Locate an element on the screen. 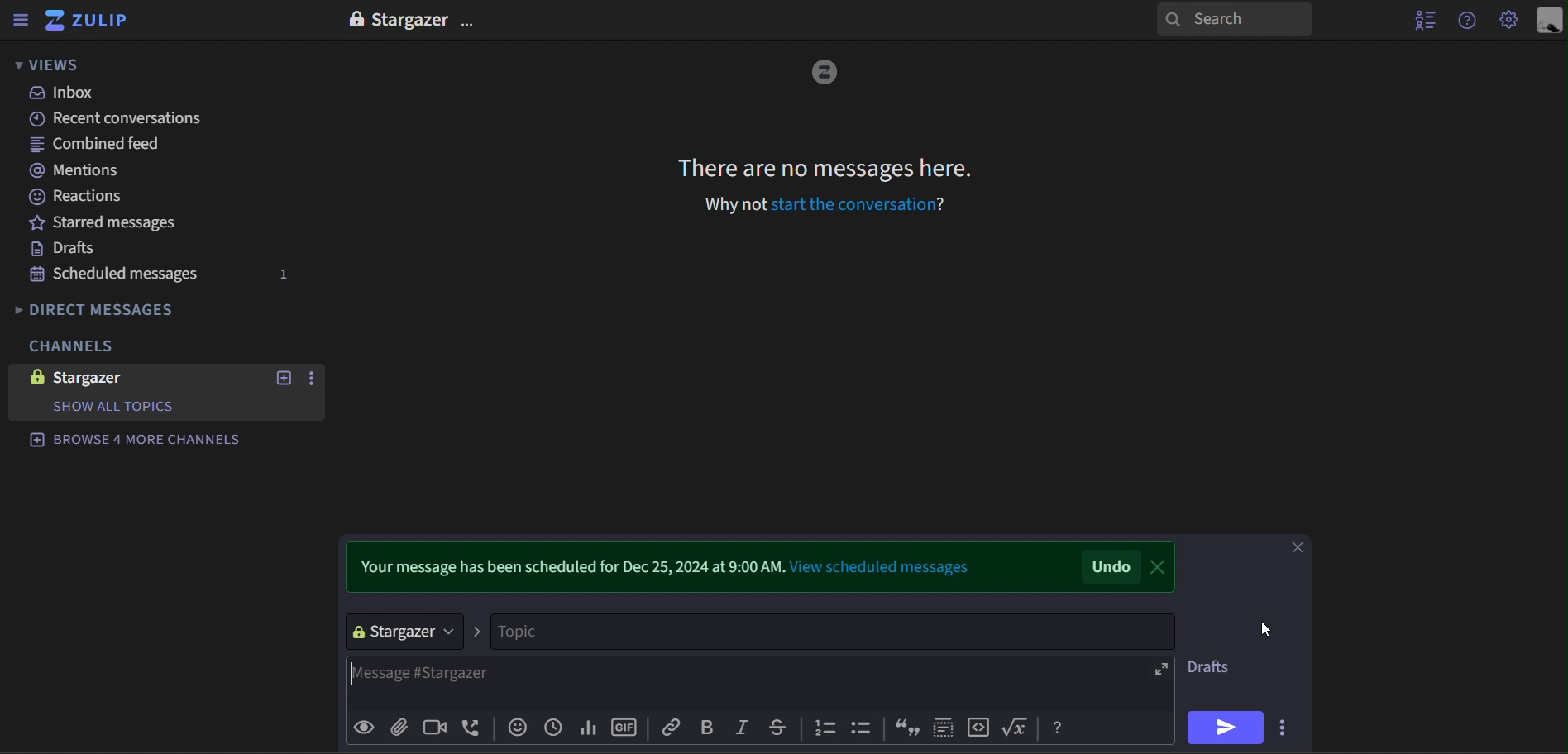  There are no messages here is located at coordinates (829, 171).